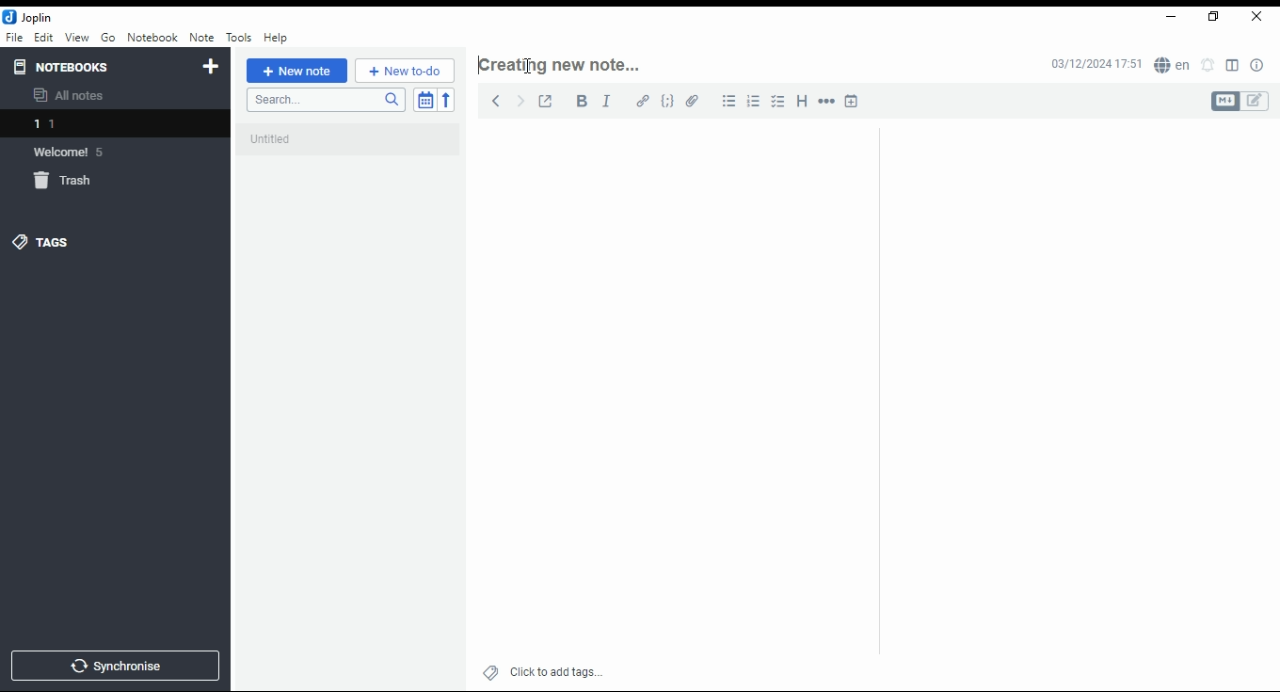  Describe the element at coordinates (238, 36) in the screenshot. I see `tools` at that location.